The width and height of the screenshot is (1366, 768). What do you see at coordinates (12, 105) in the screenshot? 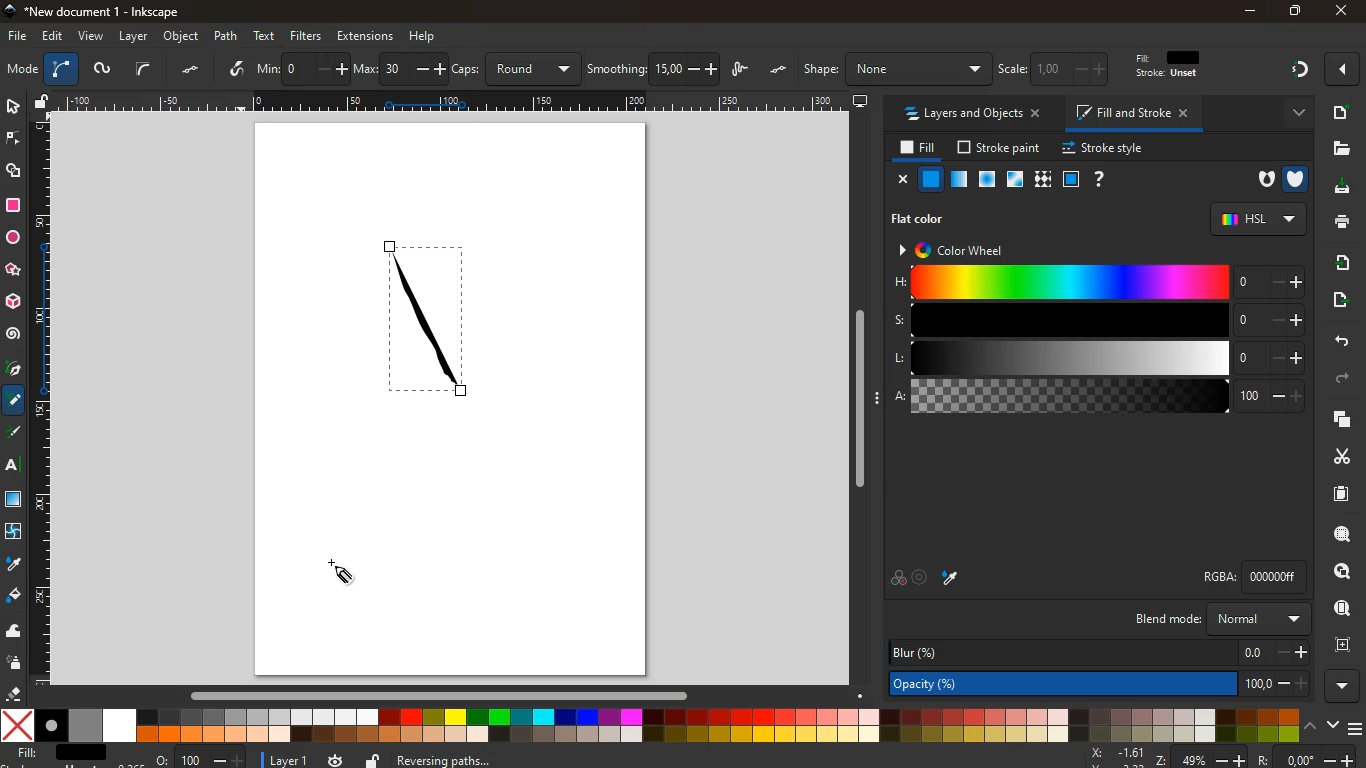
I see `select` at bounding box center [12, 105].